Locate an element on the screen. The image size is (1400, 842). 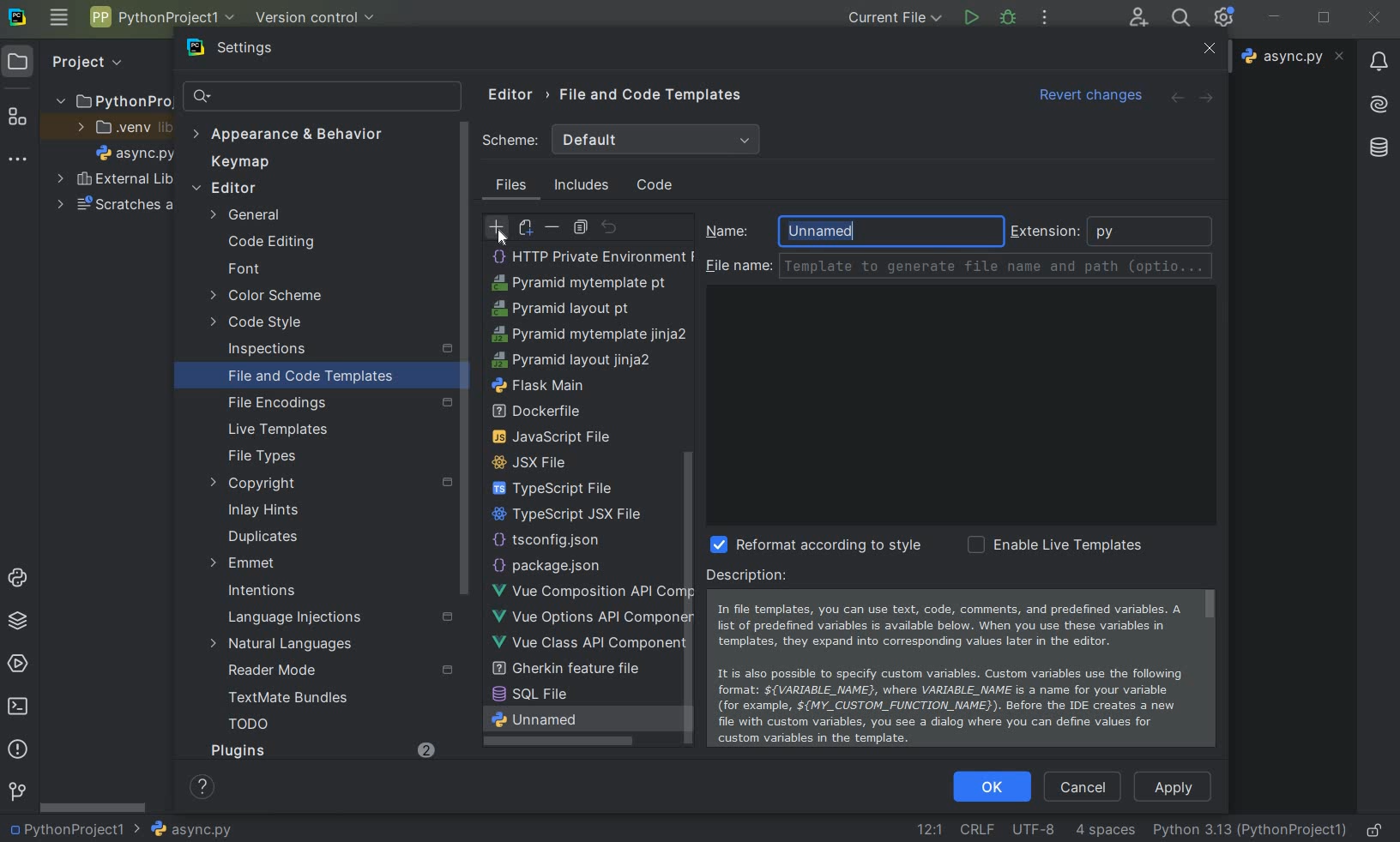
run is located at coordinates (970, 18).